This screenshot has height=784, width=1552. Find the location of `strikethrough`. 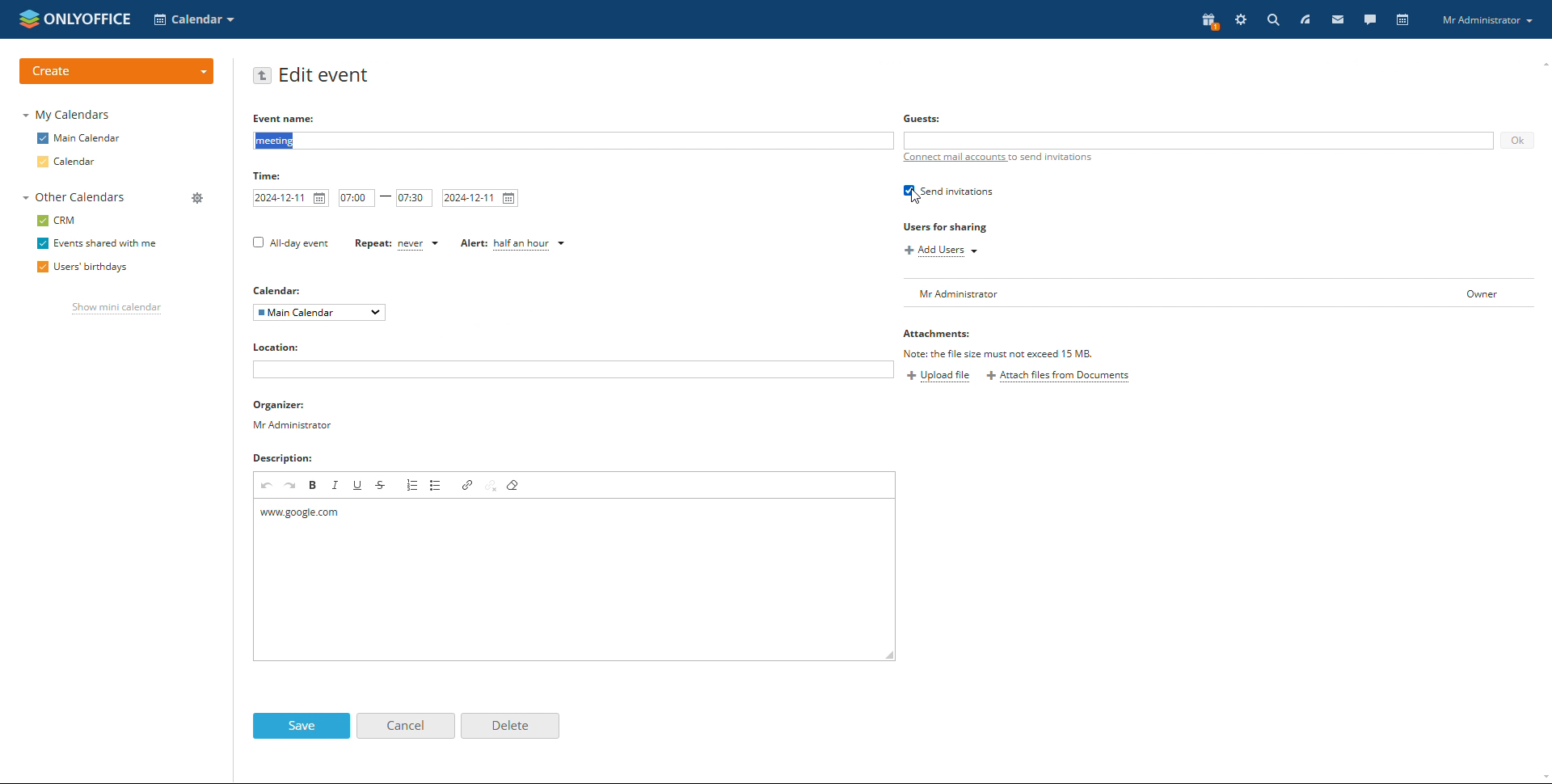

strikethrough is located at coordinates (381, 485).